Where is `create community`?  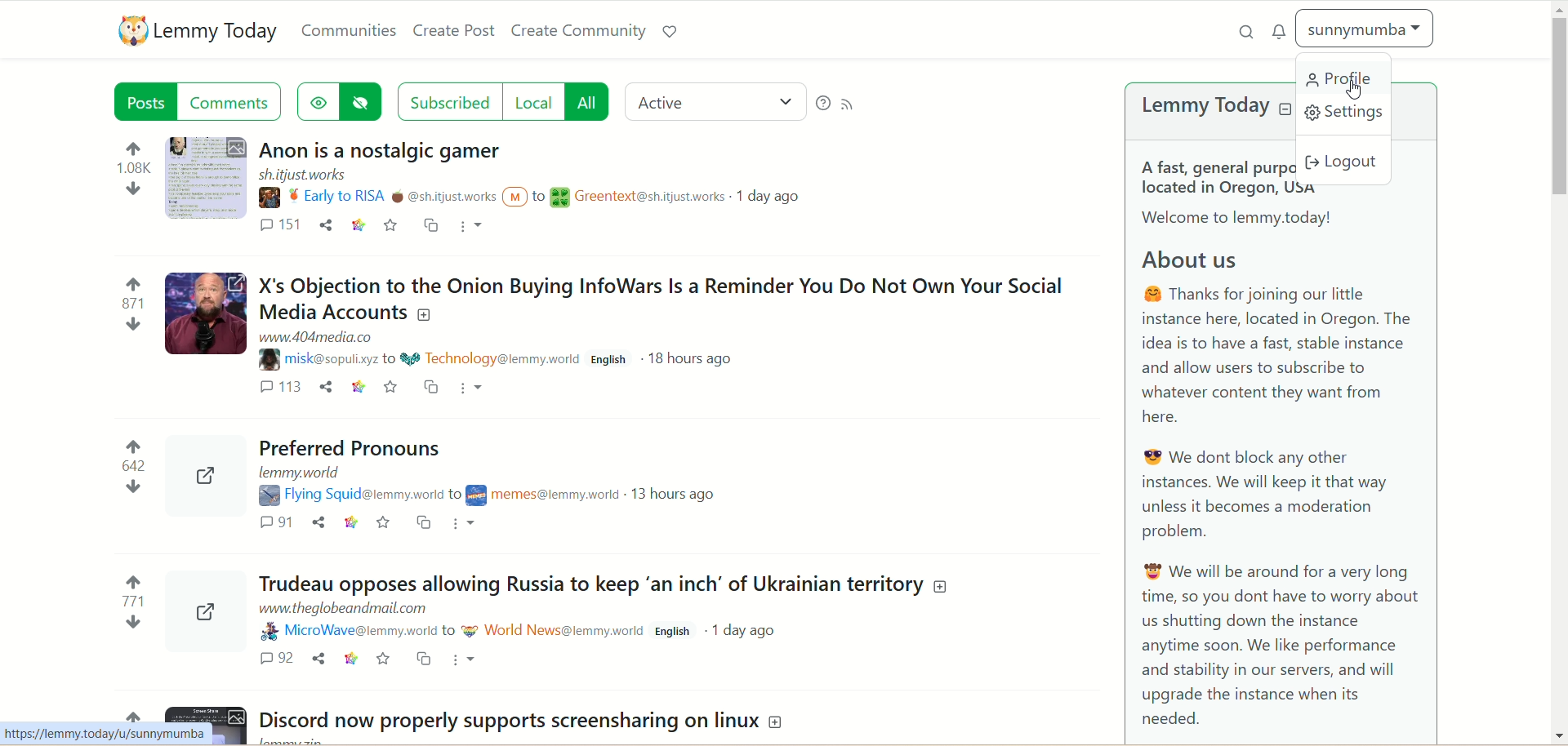 create community is located at coordinates (577, 30).